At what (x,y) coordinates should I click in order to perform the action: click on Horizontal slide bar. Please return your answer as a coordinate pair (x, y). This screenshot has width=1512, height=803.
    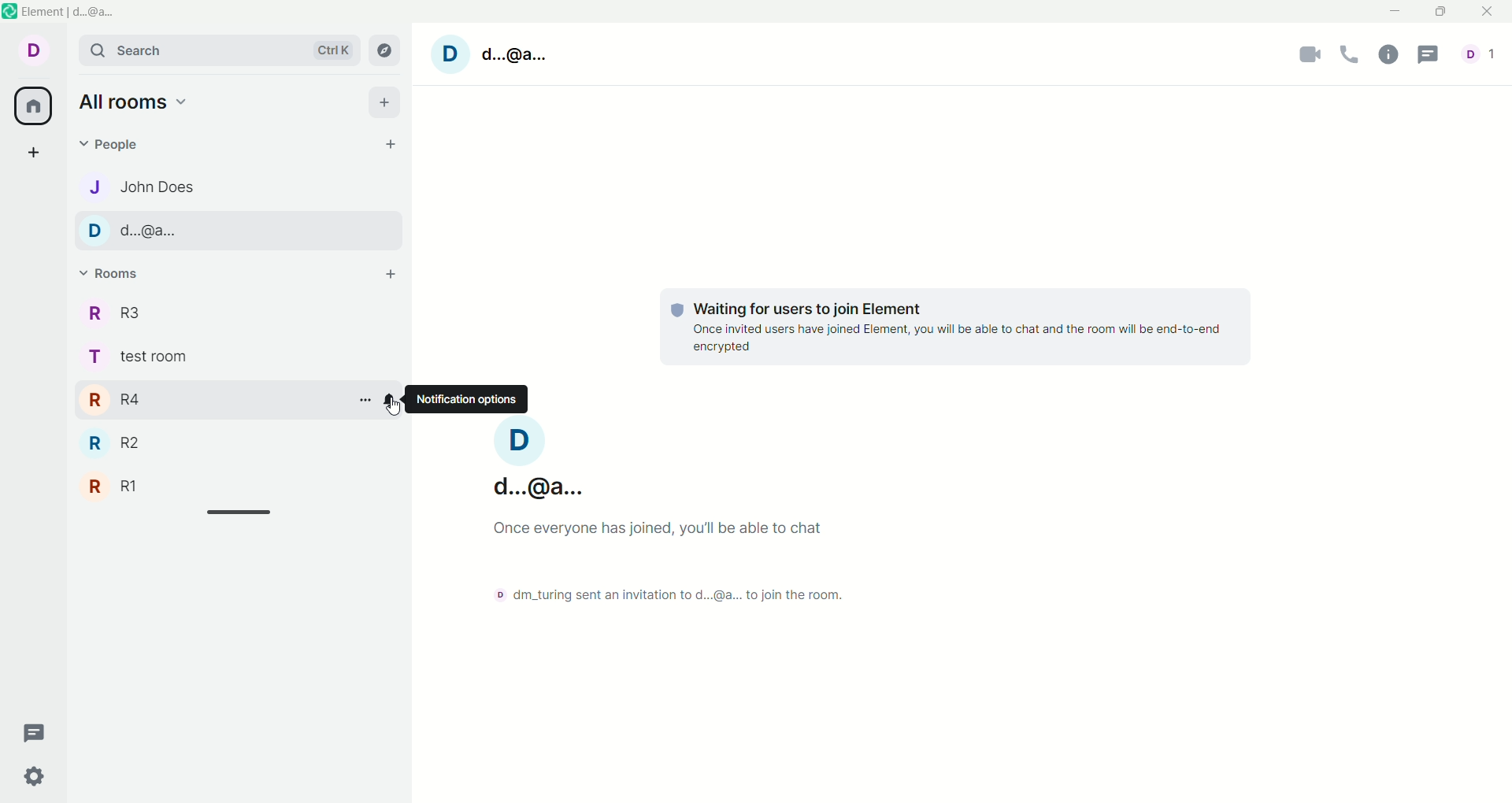
    Looking at the image, I should click on (238, 513).